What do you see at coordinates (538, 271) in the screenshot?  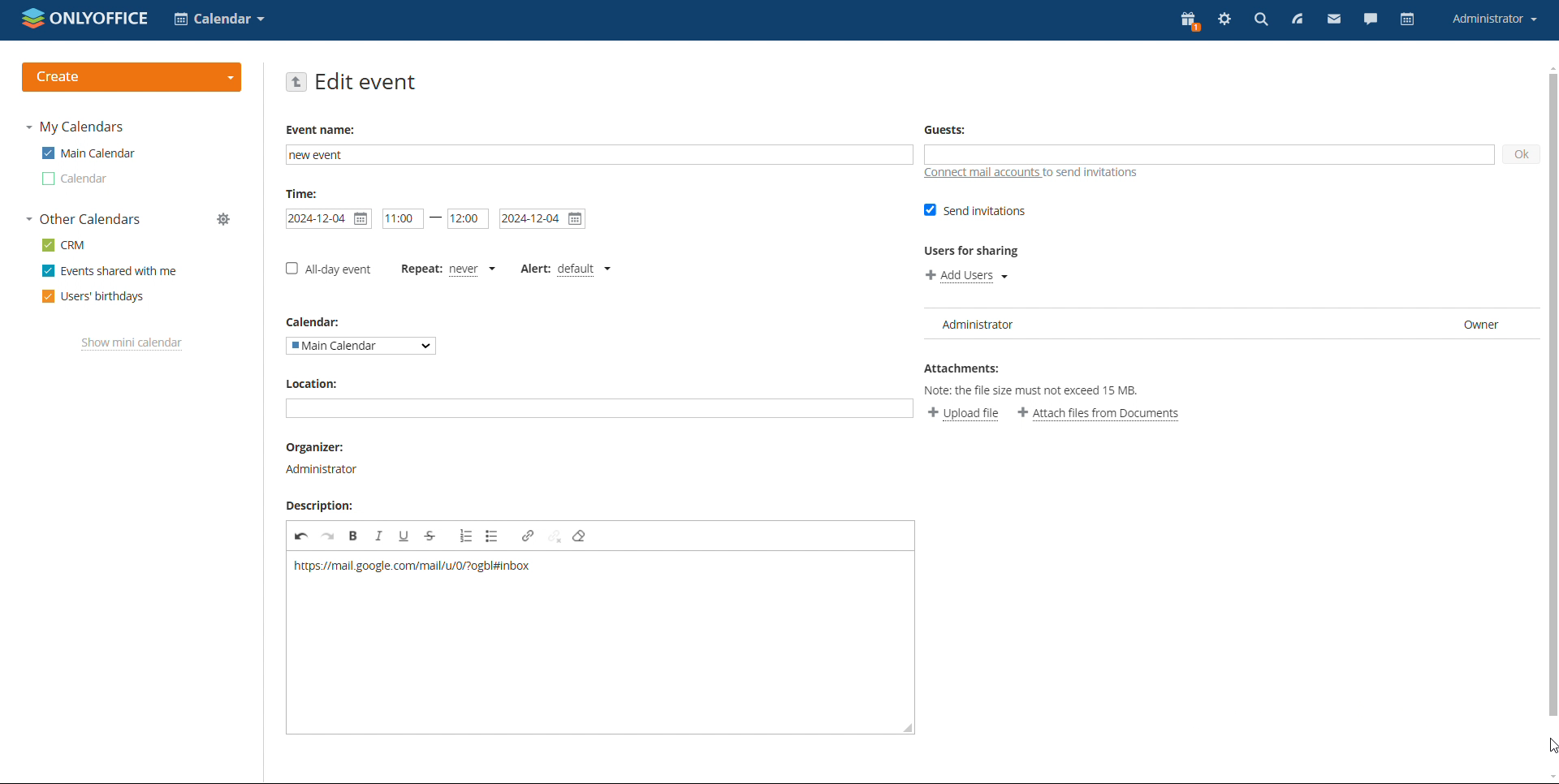 I see `set alert` at bounding box center [538, 271].